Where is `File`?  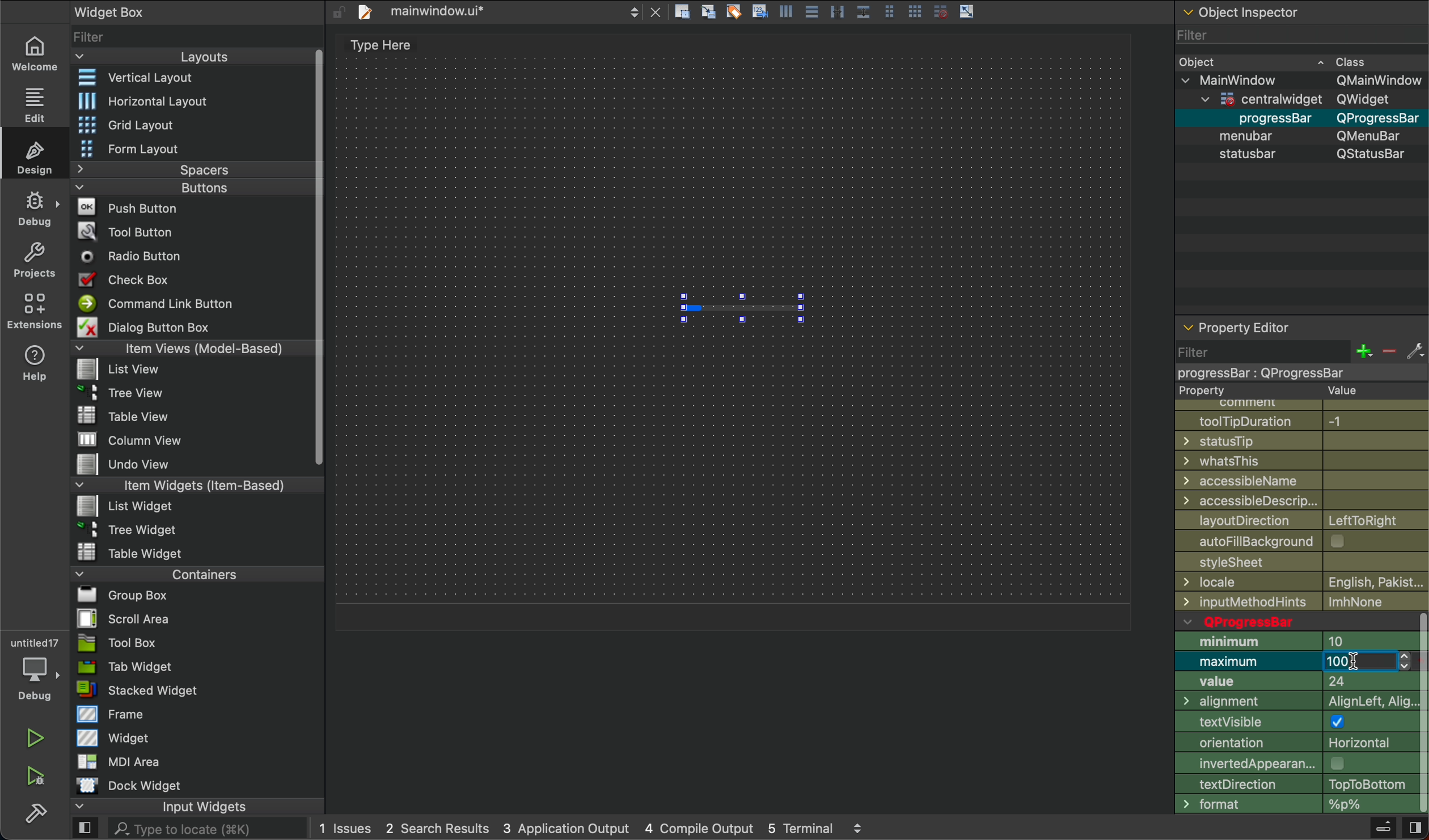 File is located at coordinates (131, 528).